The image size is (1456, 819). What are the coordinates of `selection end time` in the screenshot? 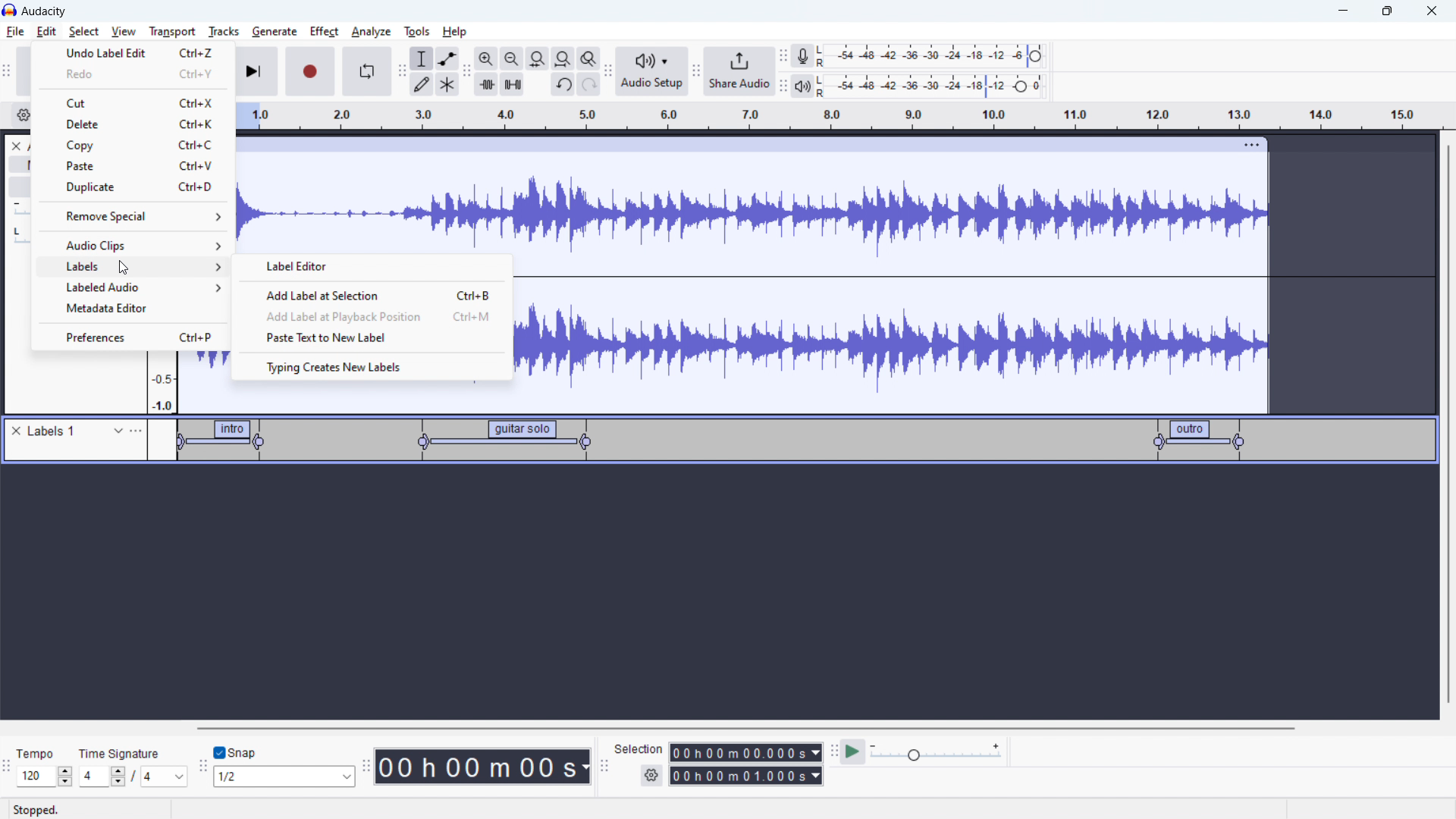 It's located at (747, 776).